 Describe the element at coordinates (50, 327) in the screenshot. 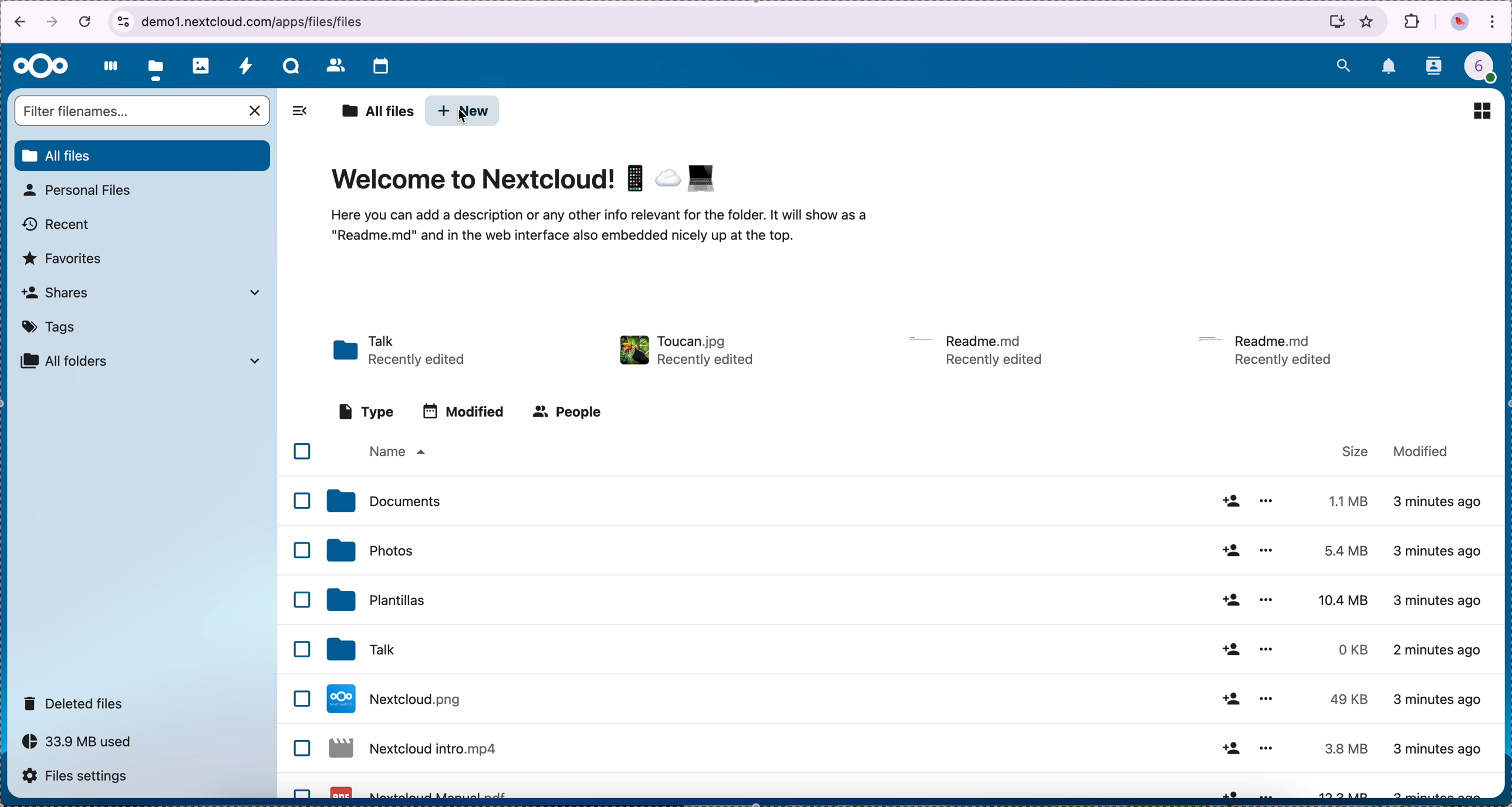

I see `tags` at that location.